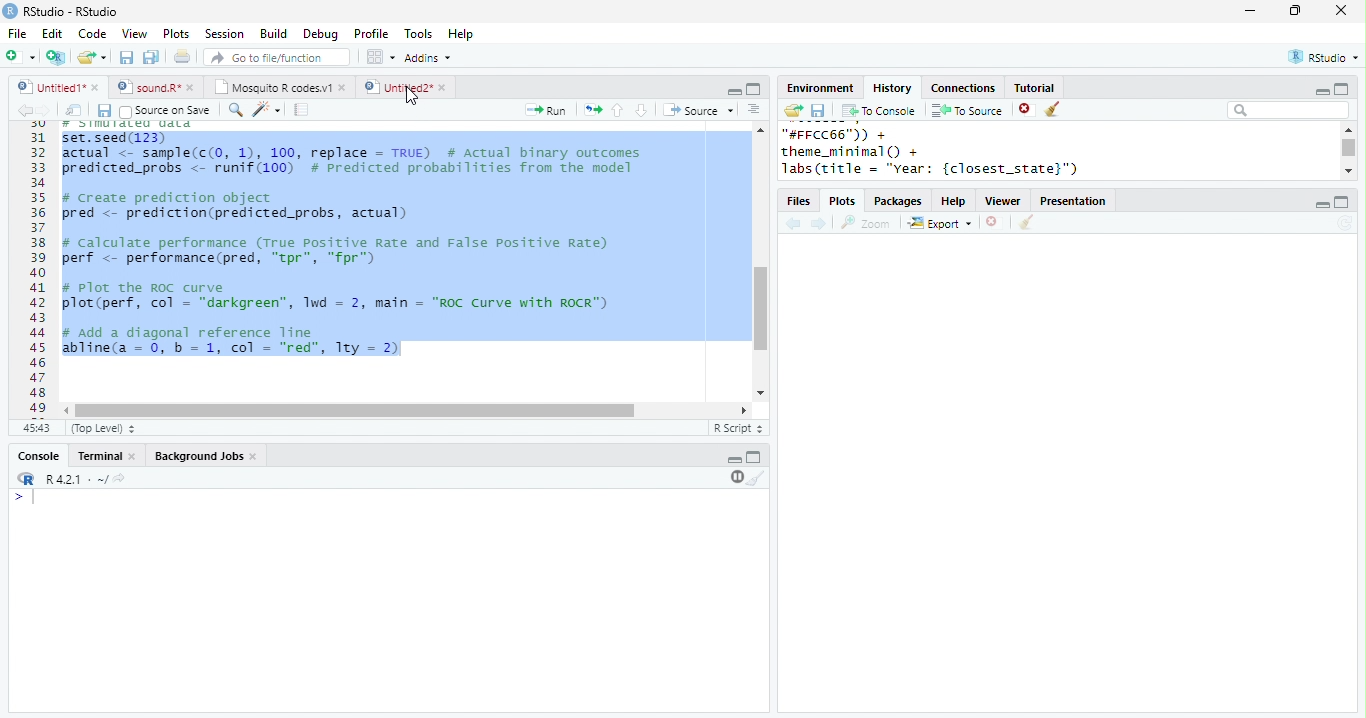 This screenshot has height=718, width=1366. Describe the element at coordinates (753, 89) in the screenshot. I see `maximize` at that location.